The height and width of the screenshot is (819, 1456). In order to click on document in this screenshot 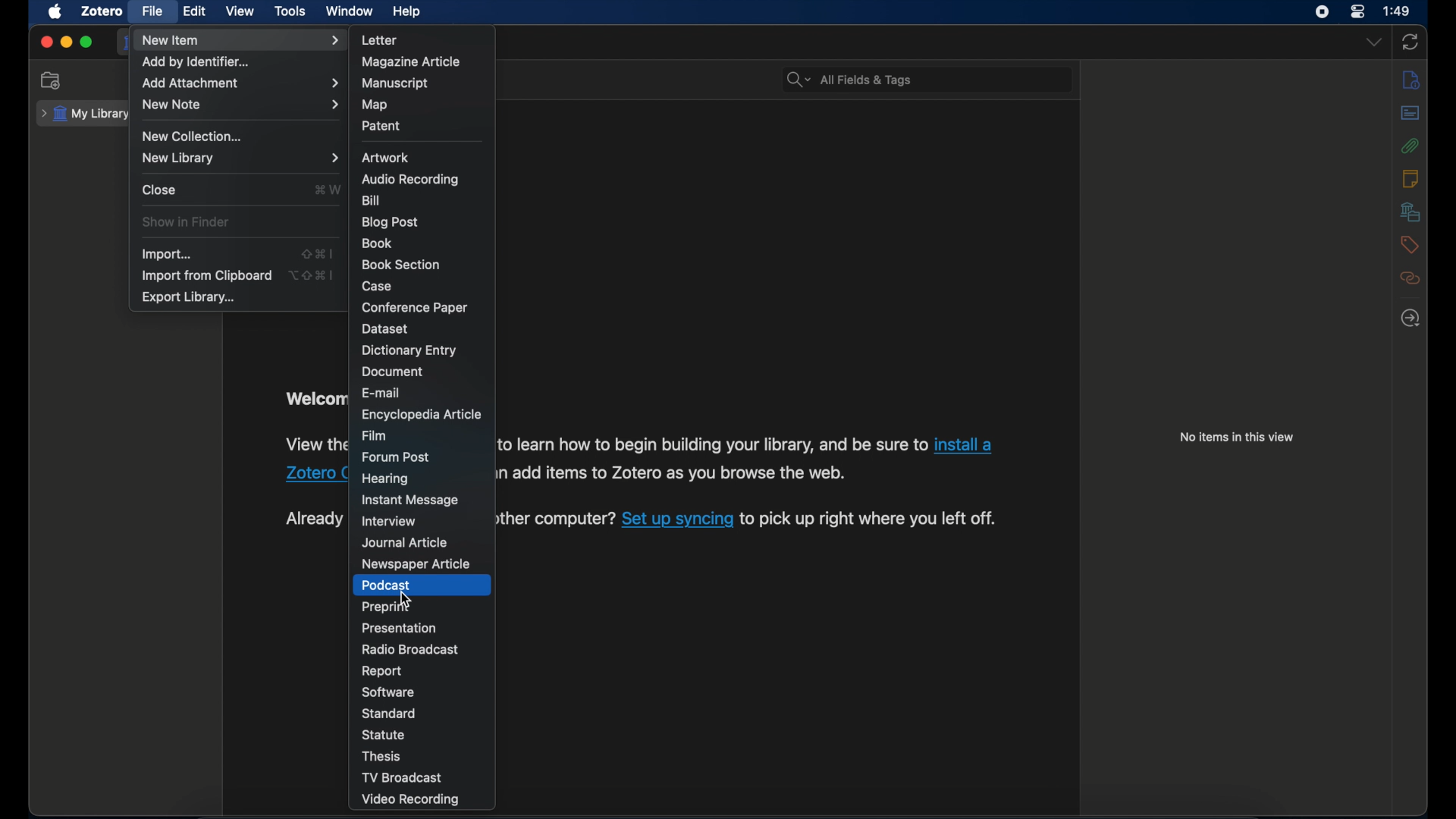, I will do `click(393, 372)`.